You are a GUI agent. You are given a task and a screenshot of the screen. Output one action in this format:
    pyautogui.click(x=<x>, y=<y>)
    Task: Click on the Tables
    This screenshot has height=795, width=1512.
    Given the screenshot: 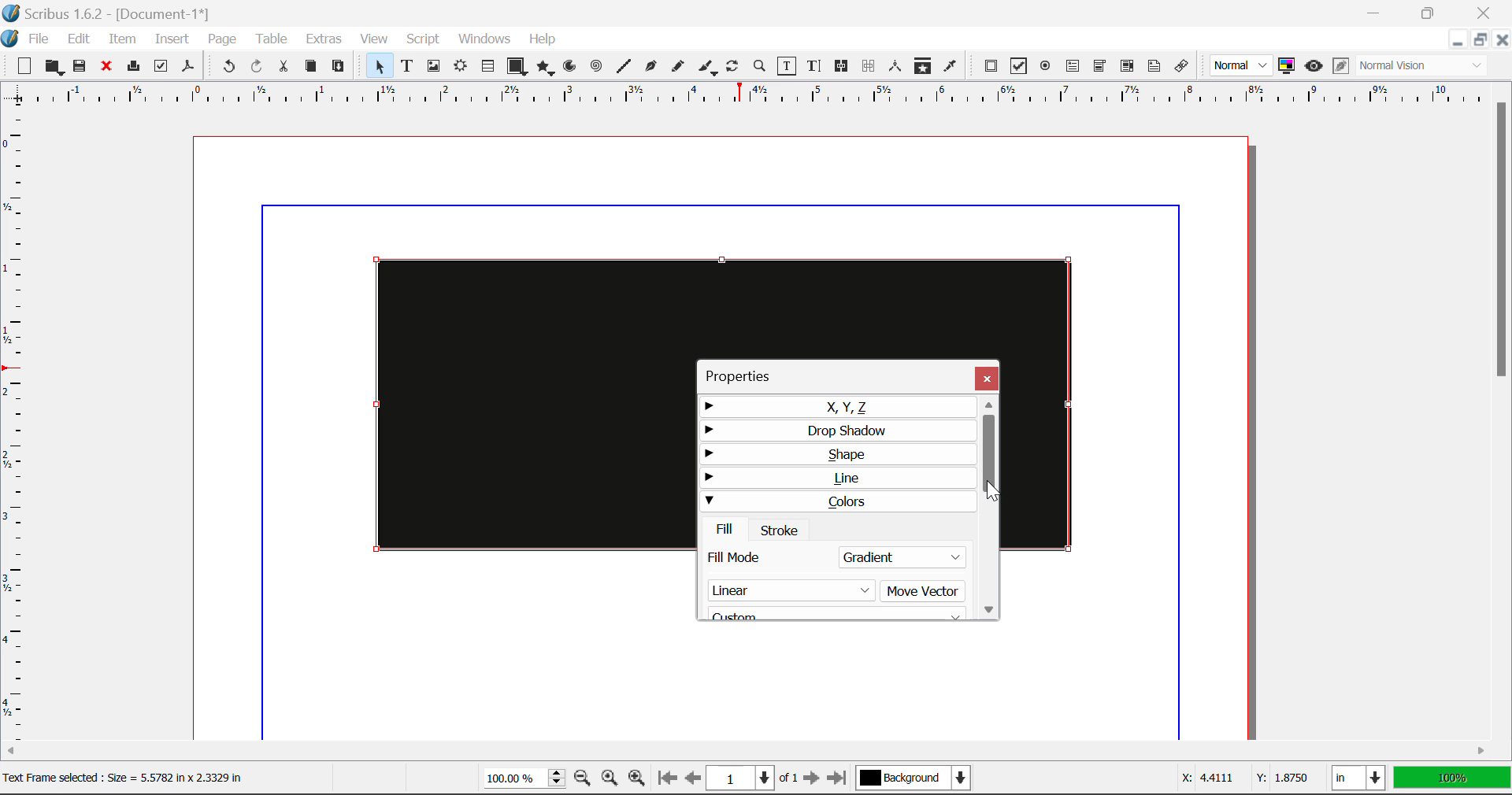 What is the action you would take?
    pyautogui.click(x=487, y=68)
    